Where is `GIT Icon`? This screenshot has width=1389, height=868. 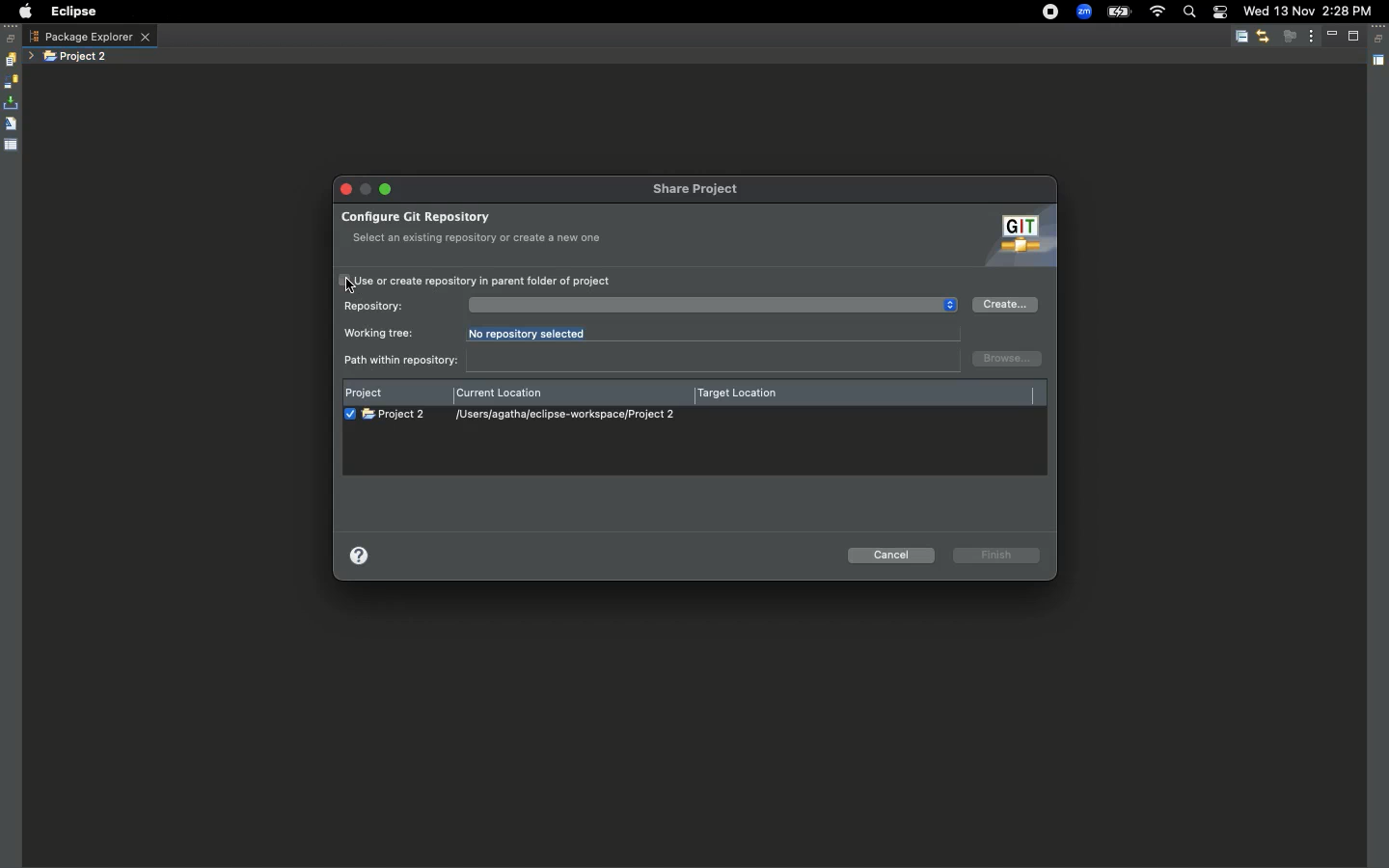 GIT Icon is located at coordinates (1015, 237).